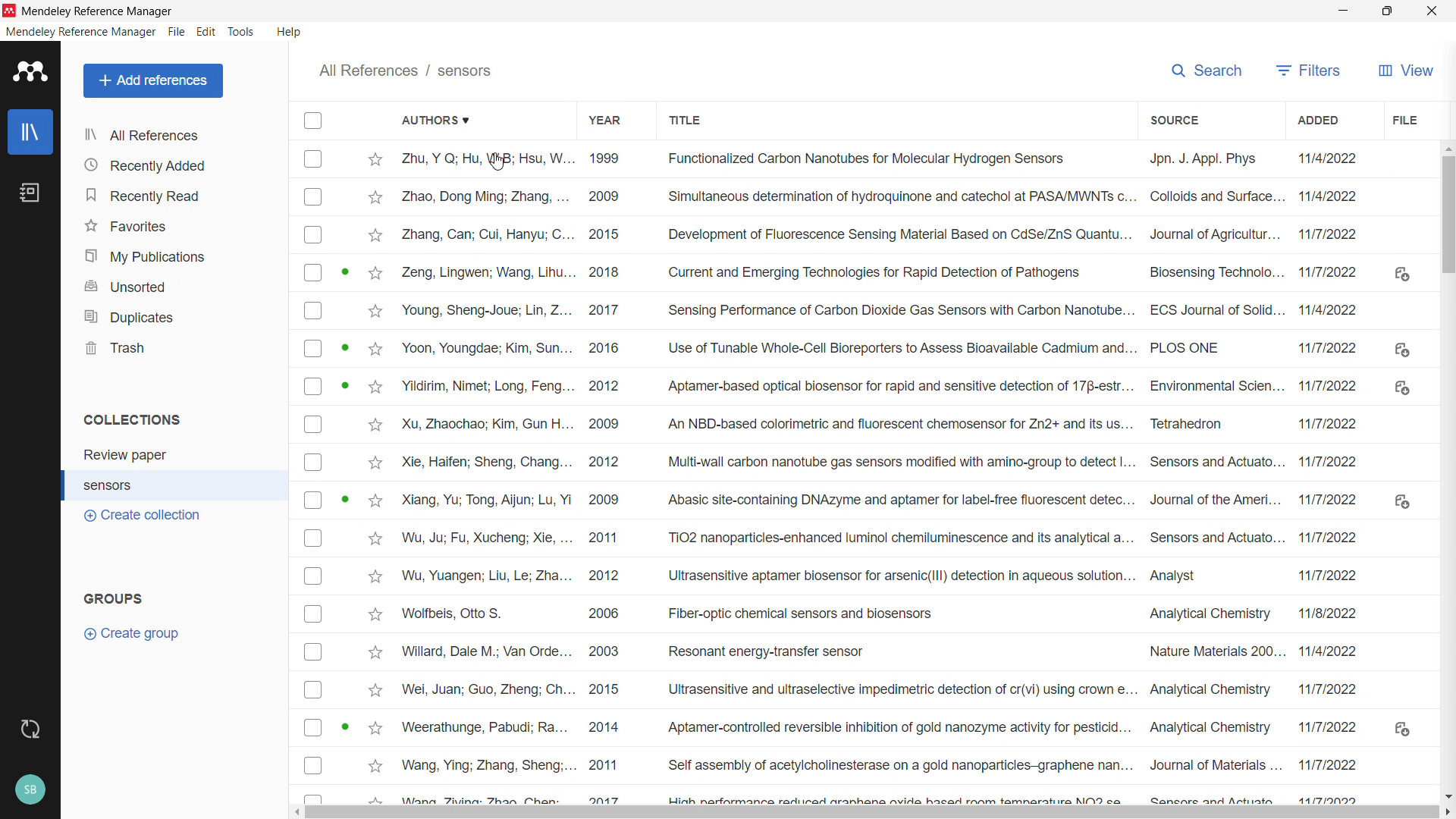 The image size is (1456, 819). Describe the element at coordinates (296, 813) in the screenshot. I see `Scroll left ` at that location.